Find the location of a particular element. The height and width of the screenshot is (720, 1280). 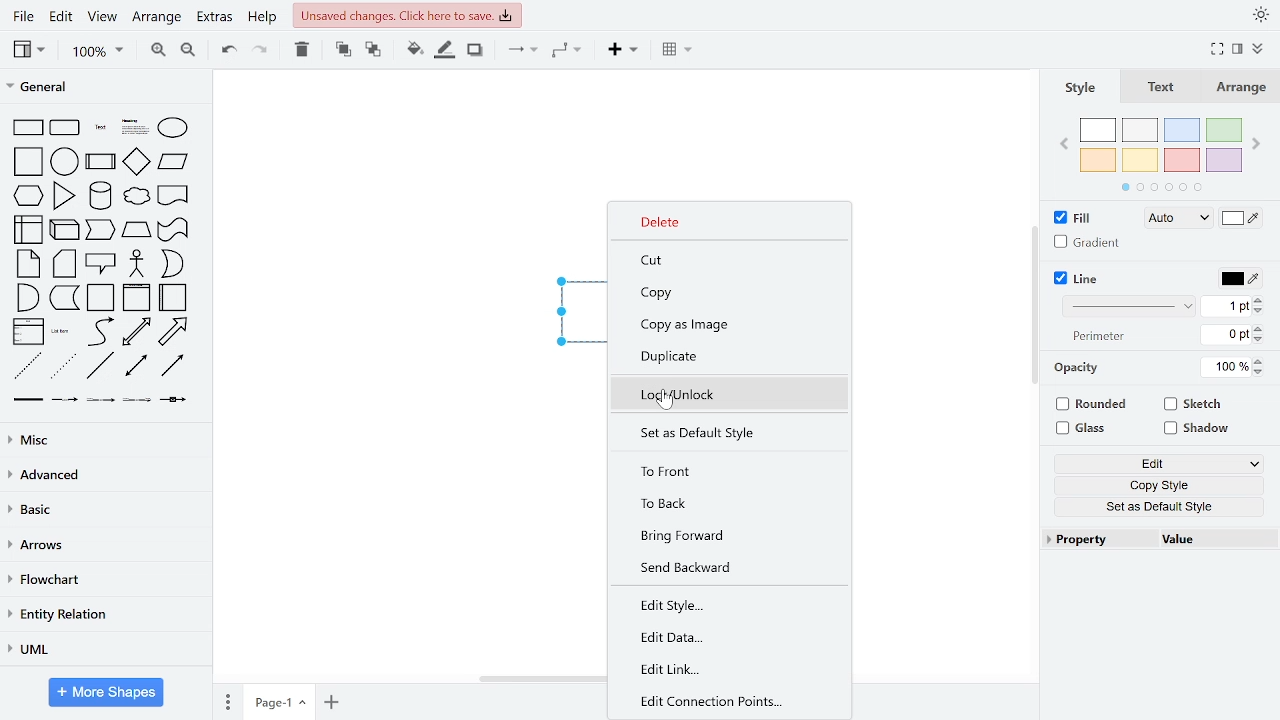

line style is located at coordinates (1130, 306).